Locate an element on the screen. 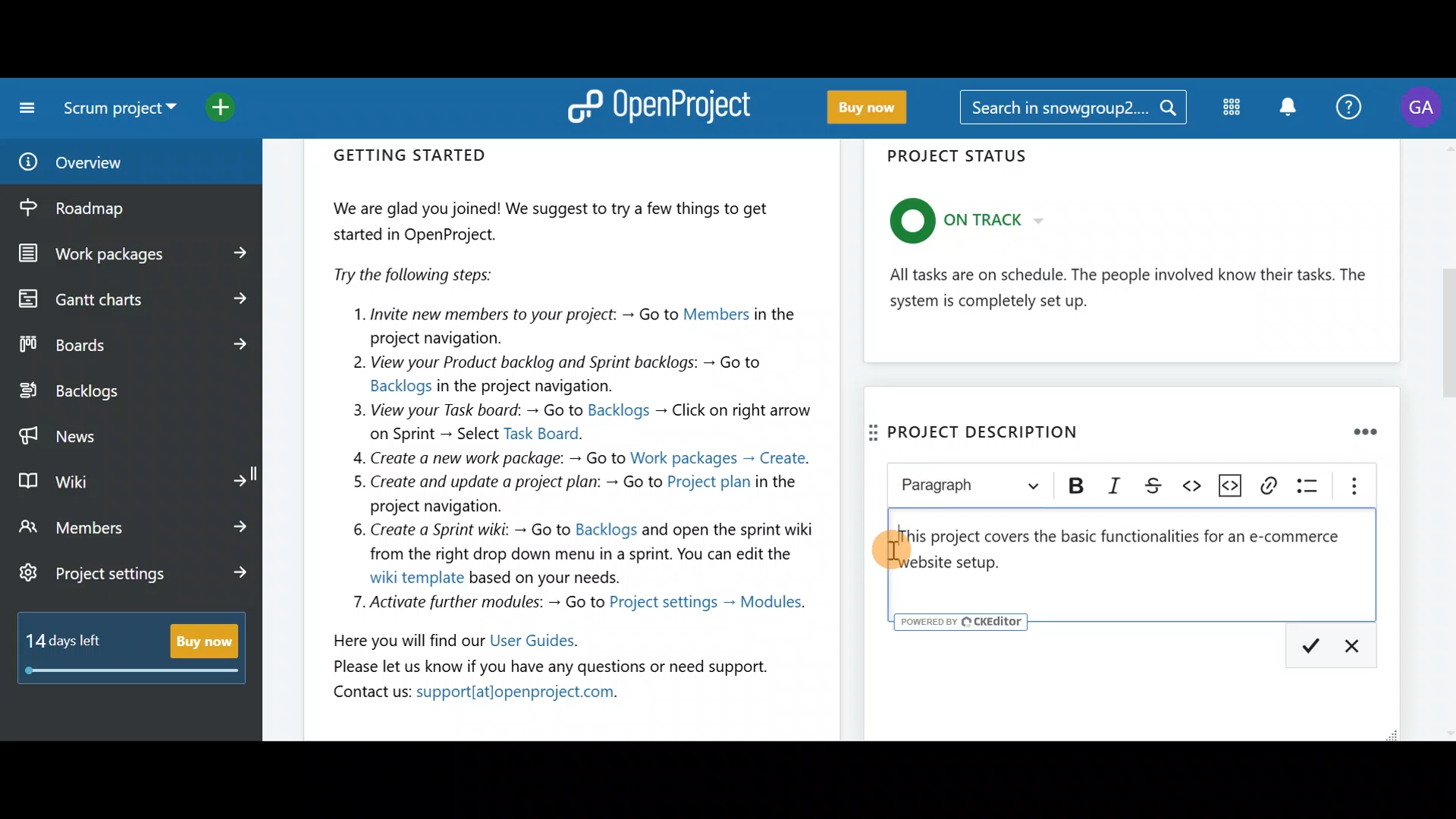  Account name is located at coordinates (1424, 108).